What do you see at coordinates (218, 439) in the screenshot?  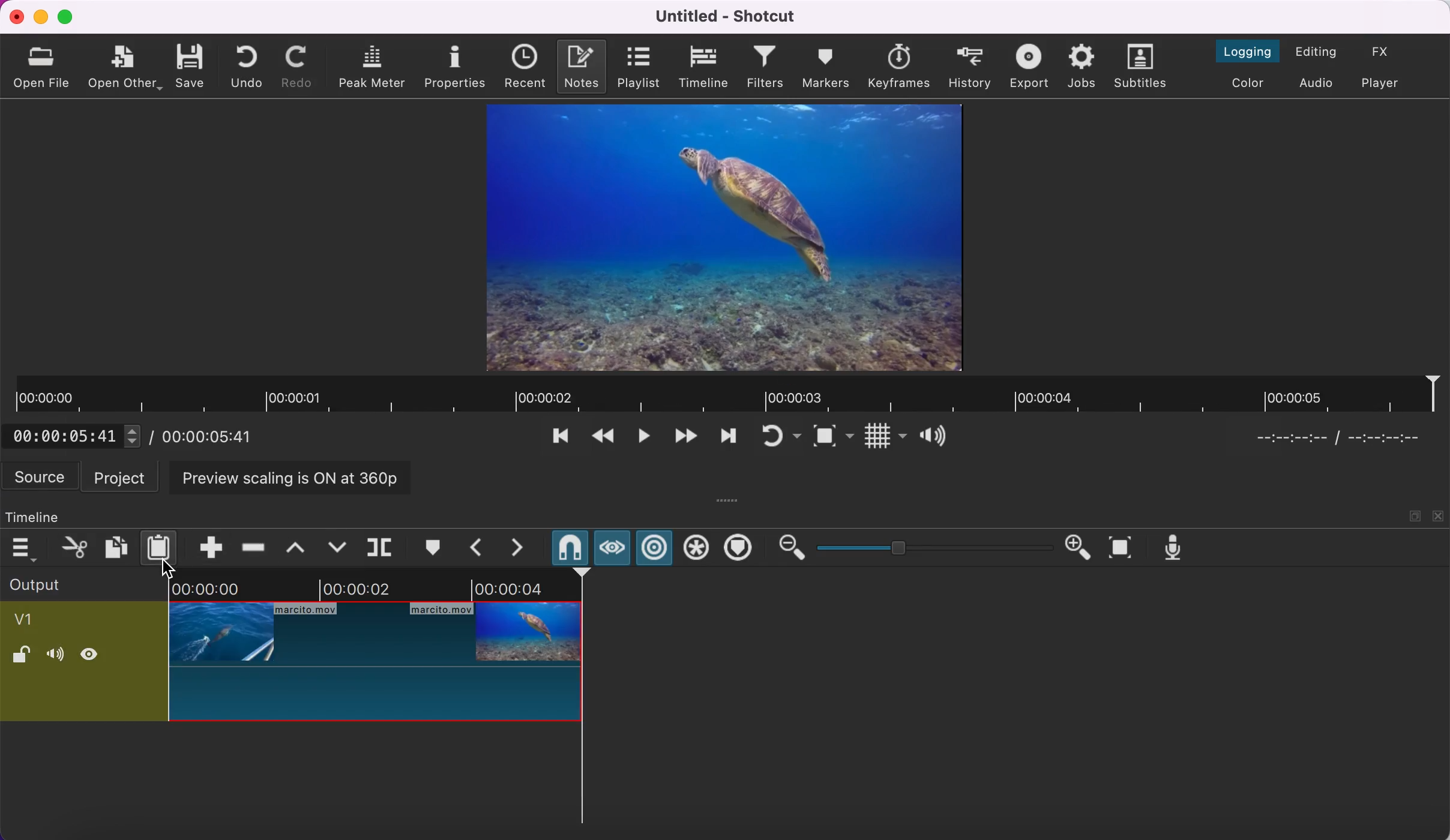 I see `total duration` at bounding box center [218, 439].